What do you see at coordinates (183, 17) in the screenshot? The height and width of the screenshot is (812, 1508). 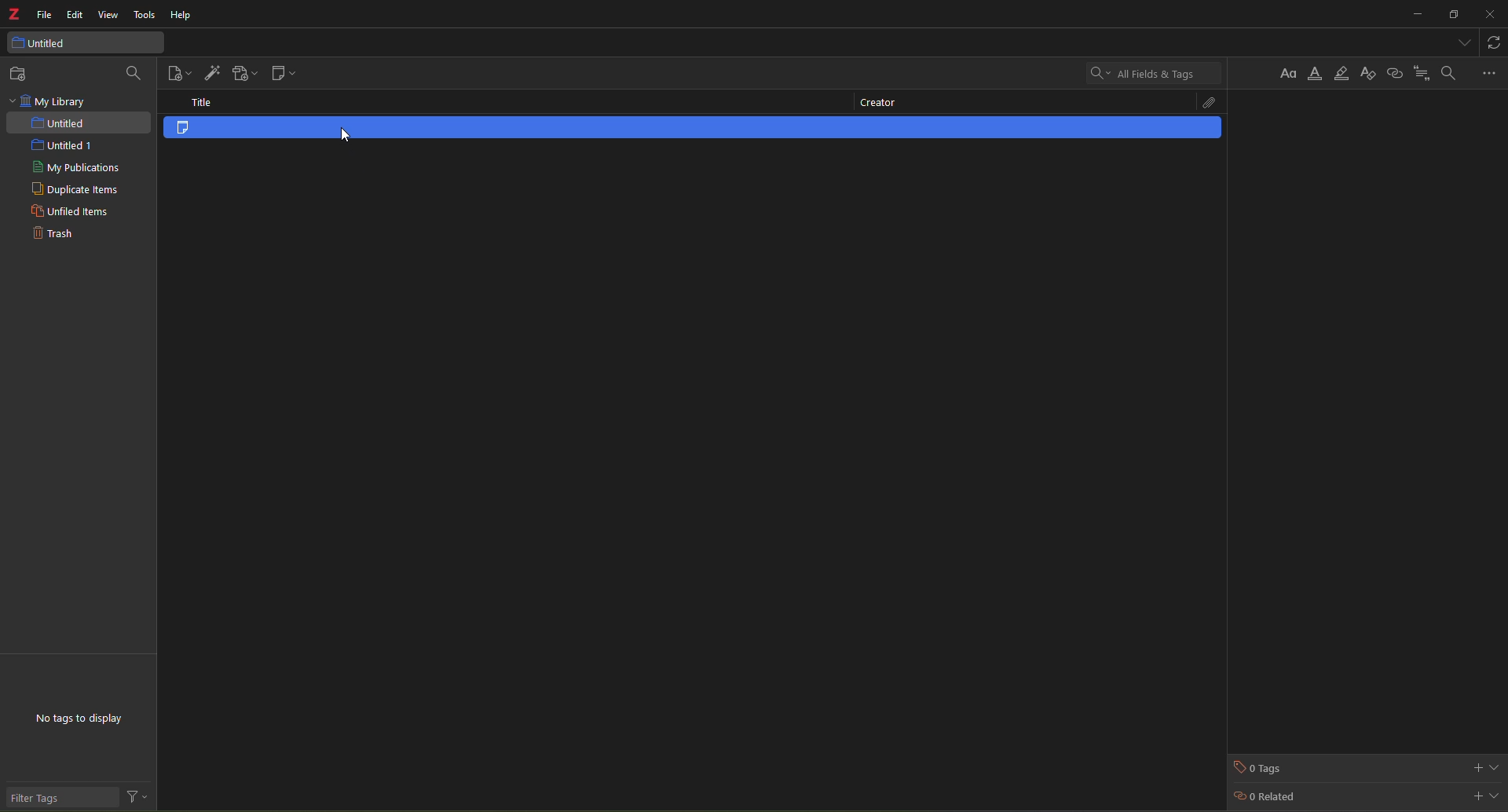 I see `help` at bounding box center [183, 17].